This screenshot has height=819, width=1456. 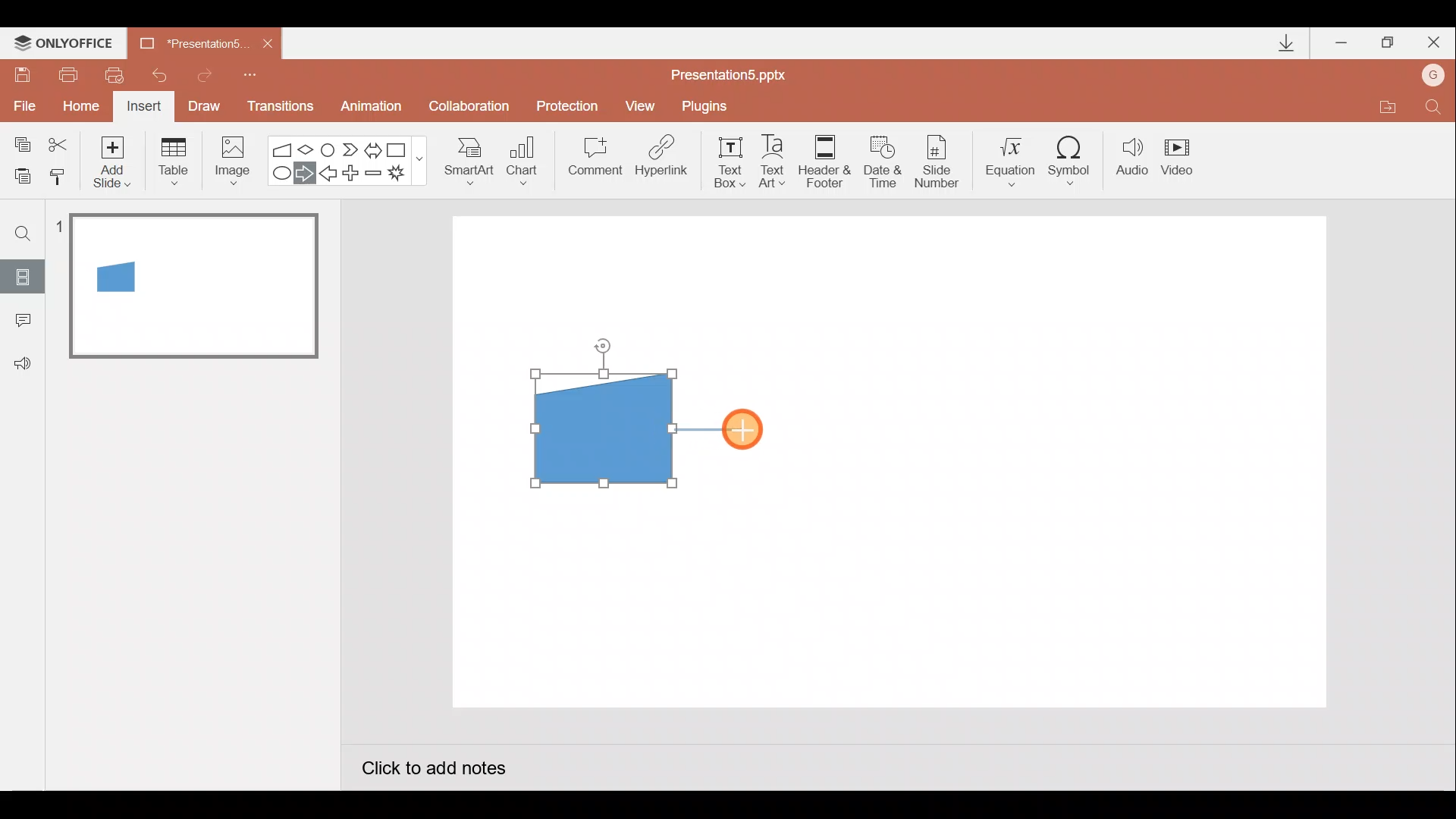 I want to click on Minimize, so click(x=1343, y=44).